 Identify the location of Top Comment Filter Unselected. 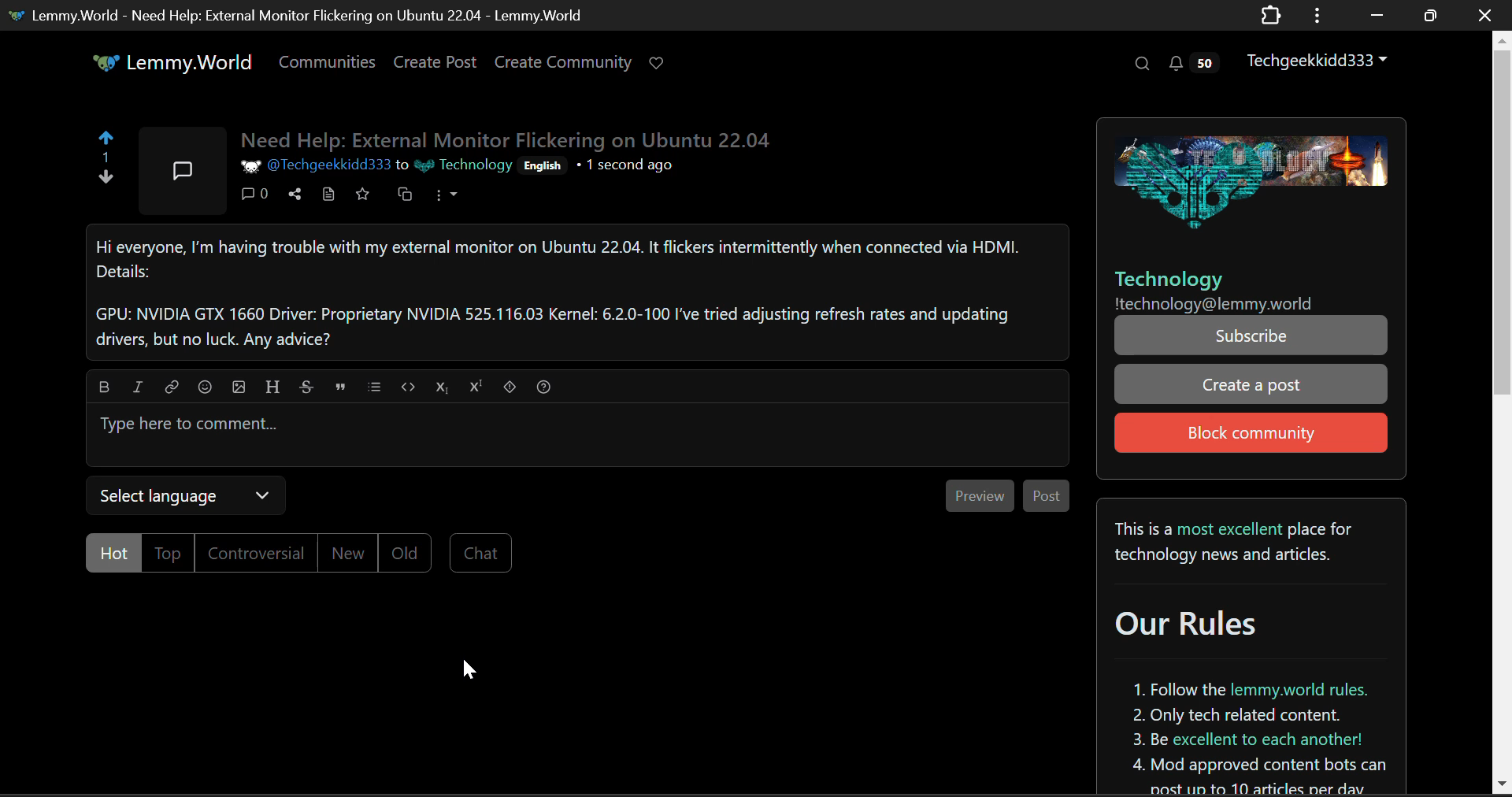
(171, 554).